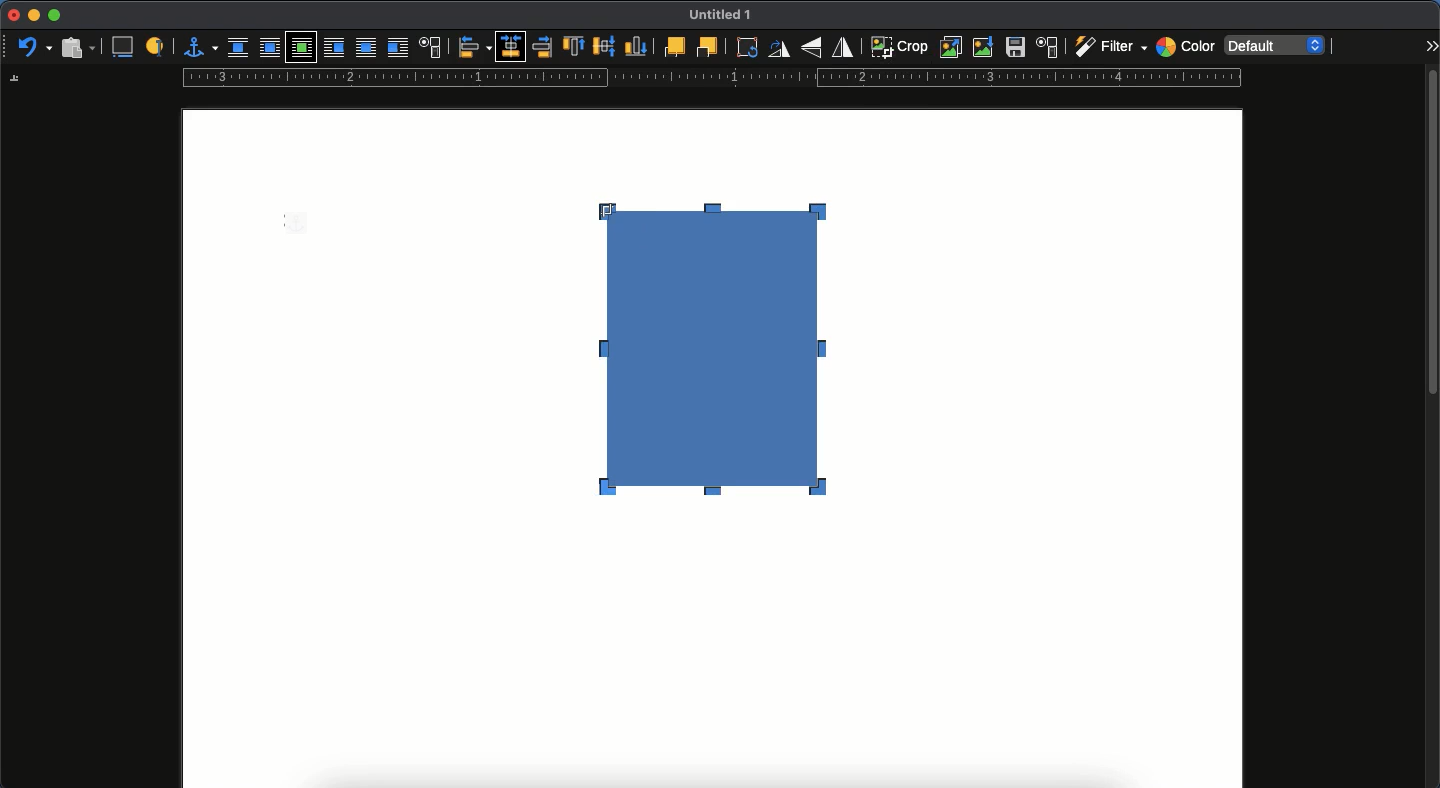  I want to click on image properties, so click(1048, 47).